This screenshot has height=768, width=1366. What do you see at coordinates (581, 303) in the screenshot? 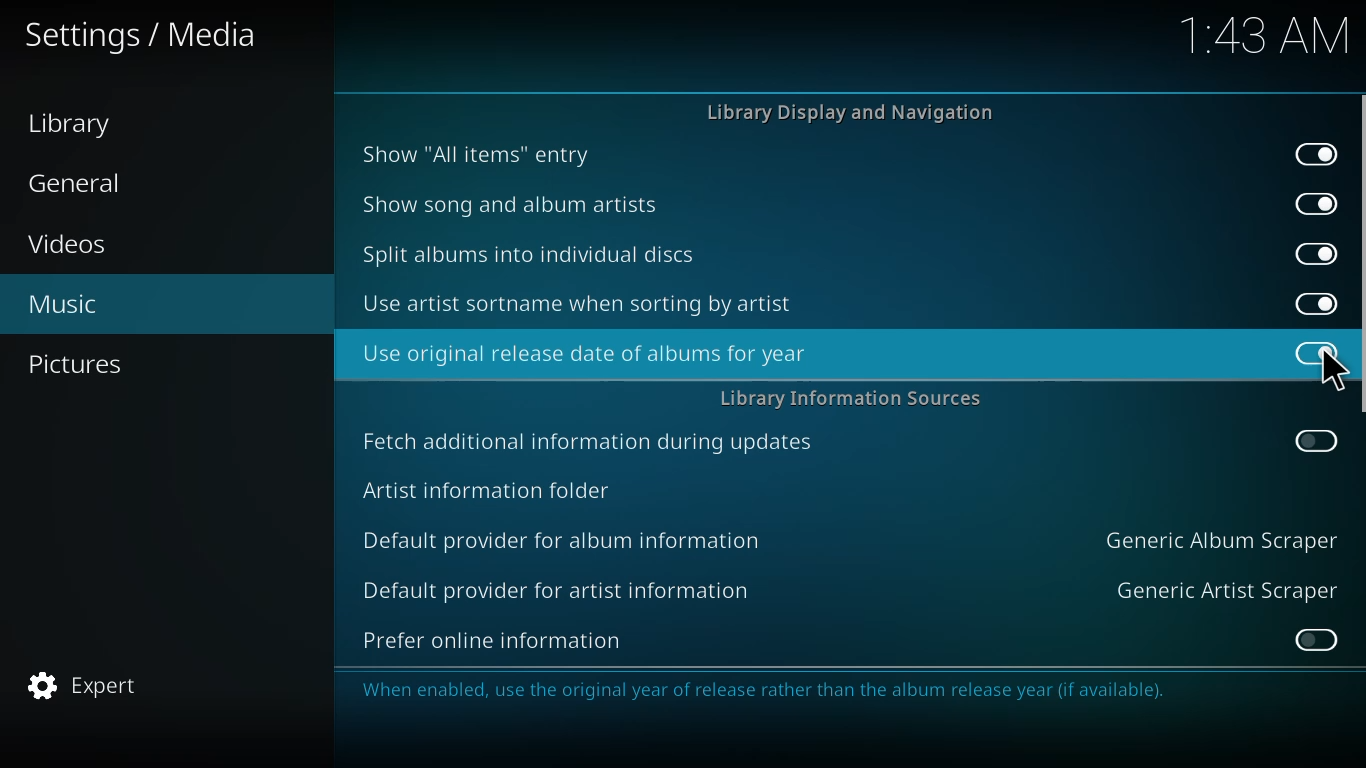
I see `use artist sortname when sorting` at bounding box center [581, 303].